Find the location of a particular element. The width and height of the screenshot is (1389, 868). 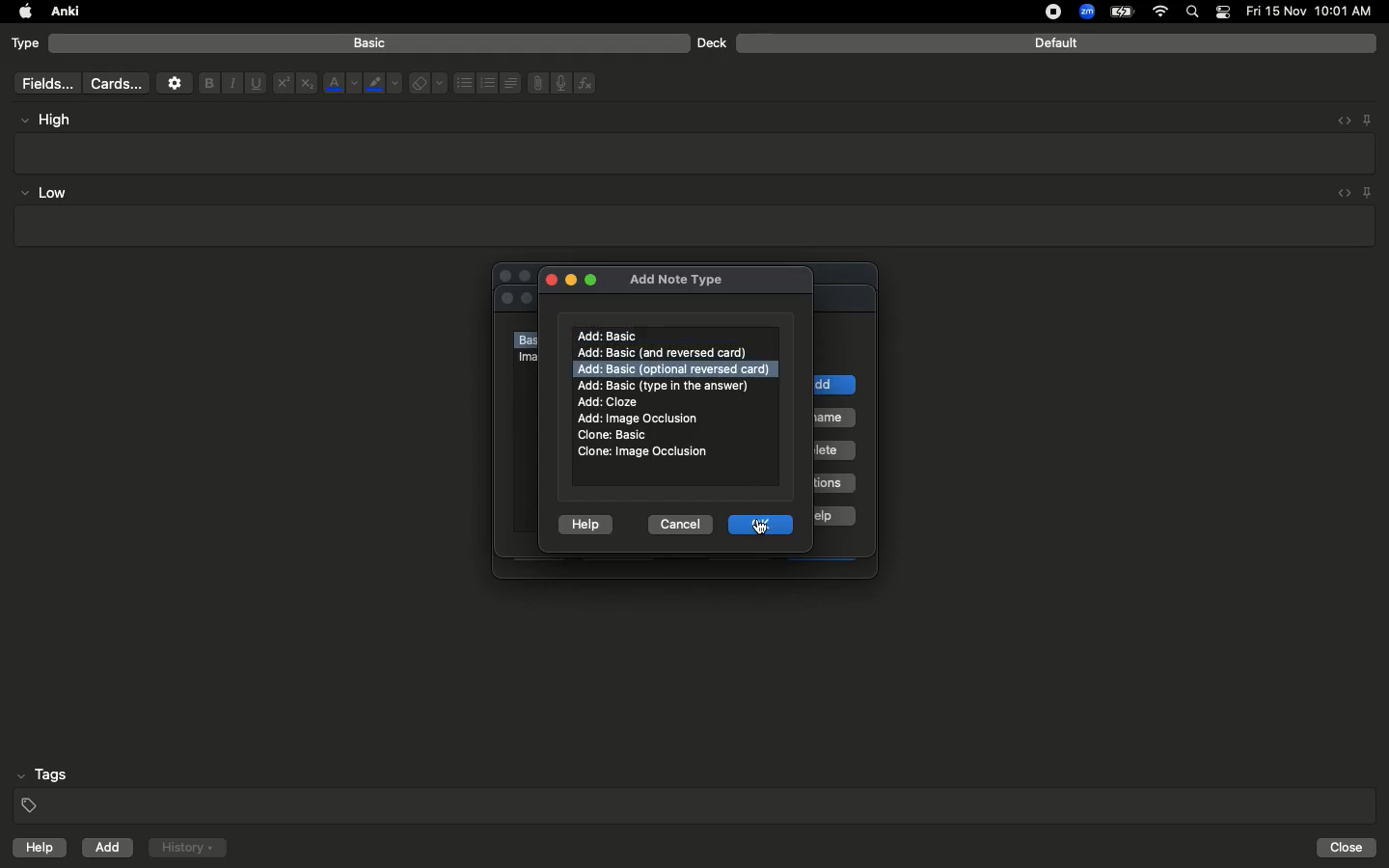

Basic is located at coordinates (370, 43).